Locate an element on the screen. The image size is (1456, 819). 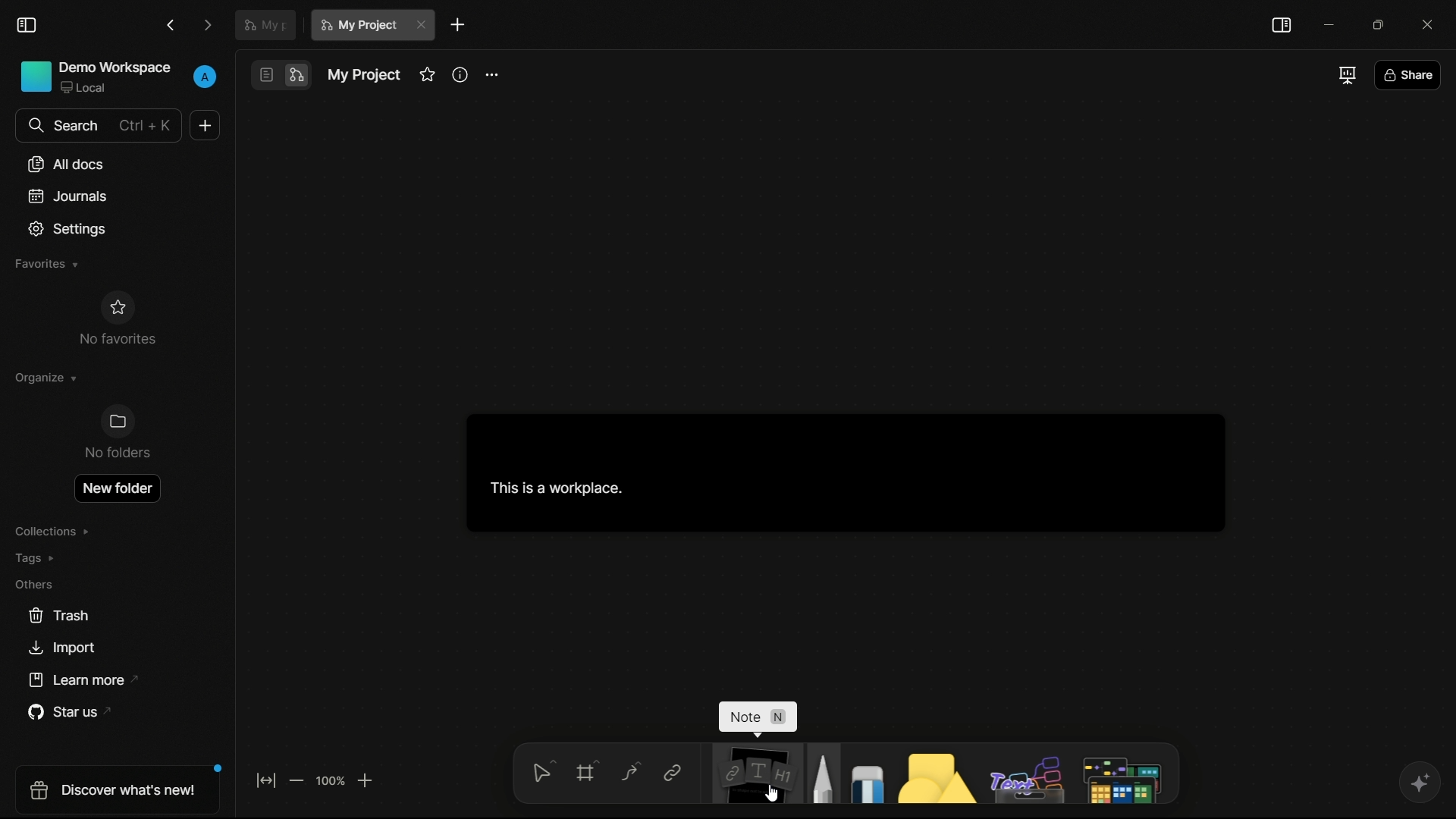
new document is located at coordinates (202, 125).